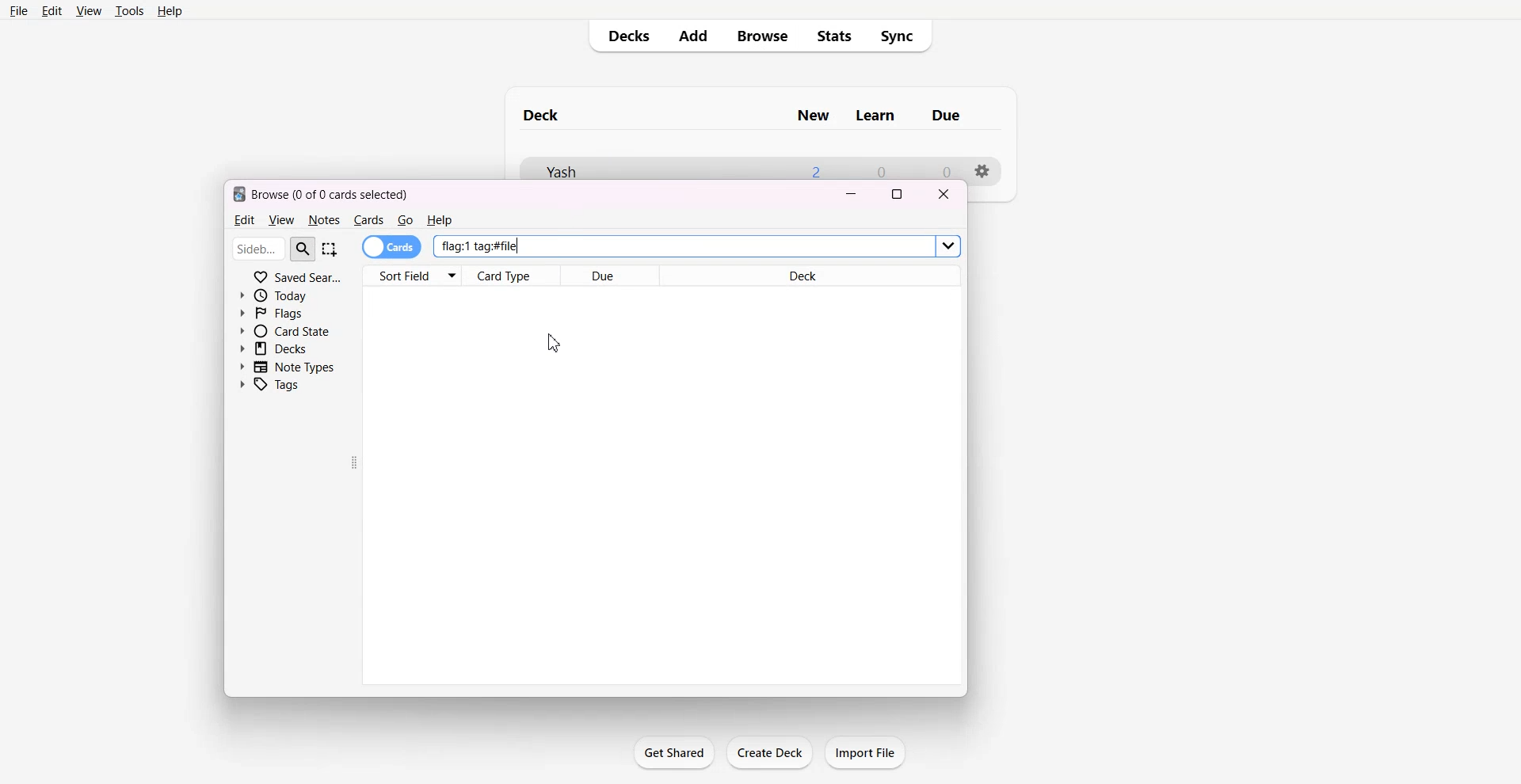 The height and width of the screenshot is (784, 1521). I want to click on Minimize, so click(852, 193).